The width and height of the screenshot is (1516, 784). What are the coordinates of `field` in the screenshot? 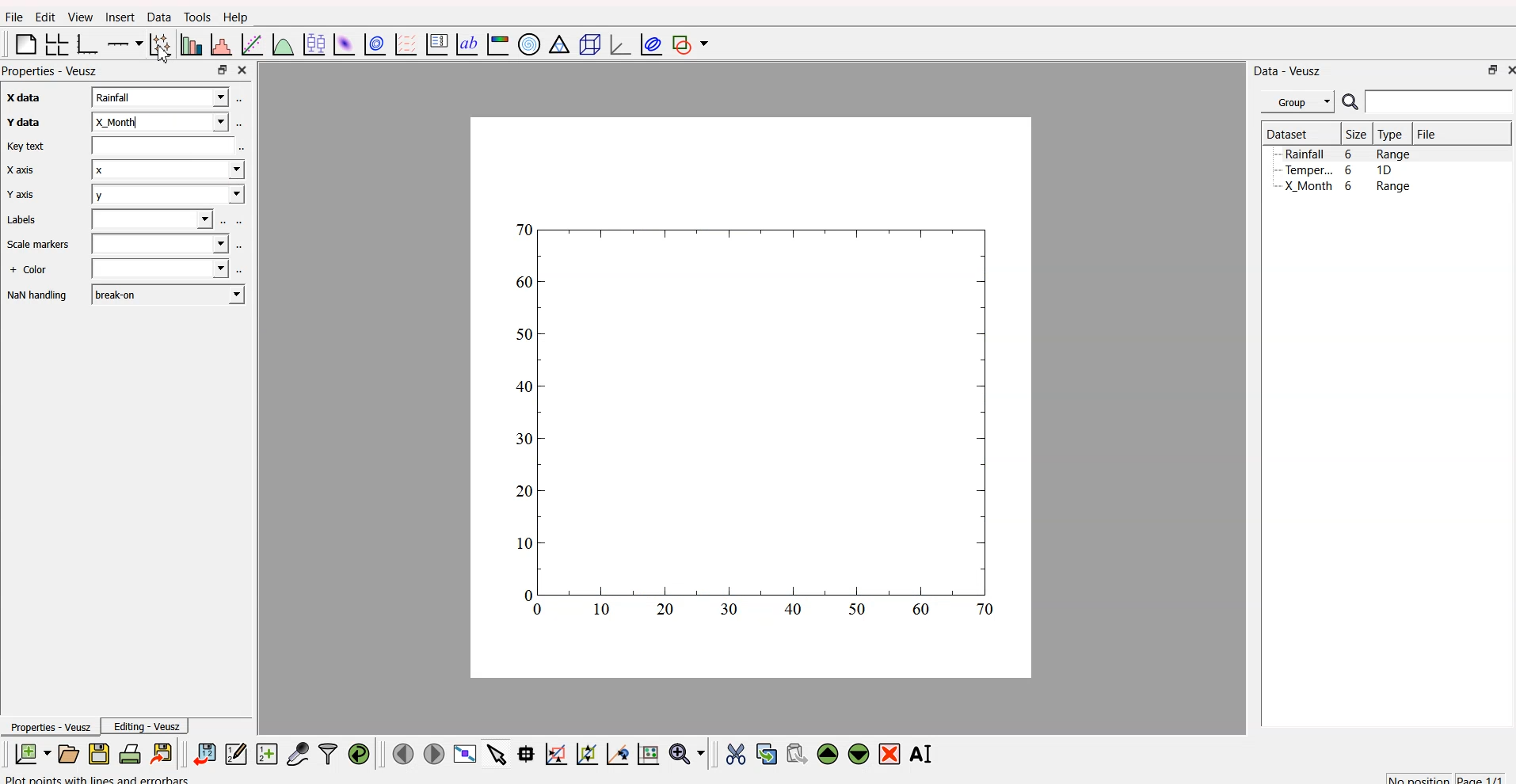 It's located at (165, 150).